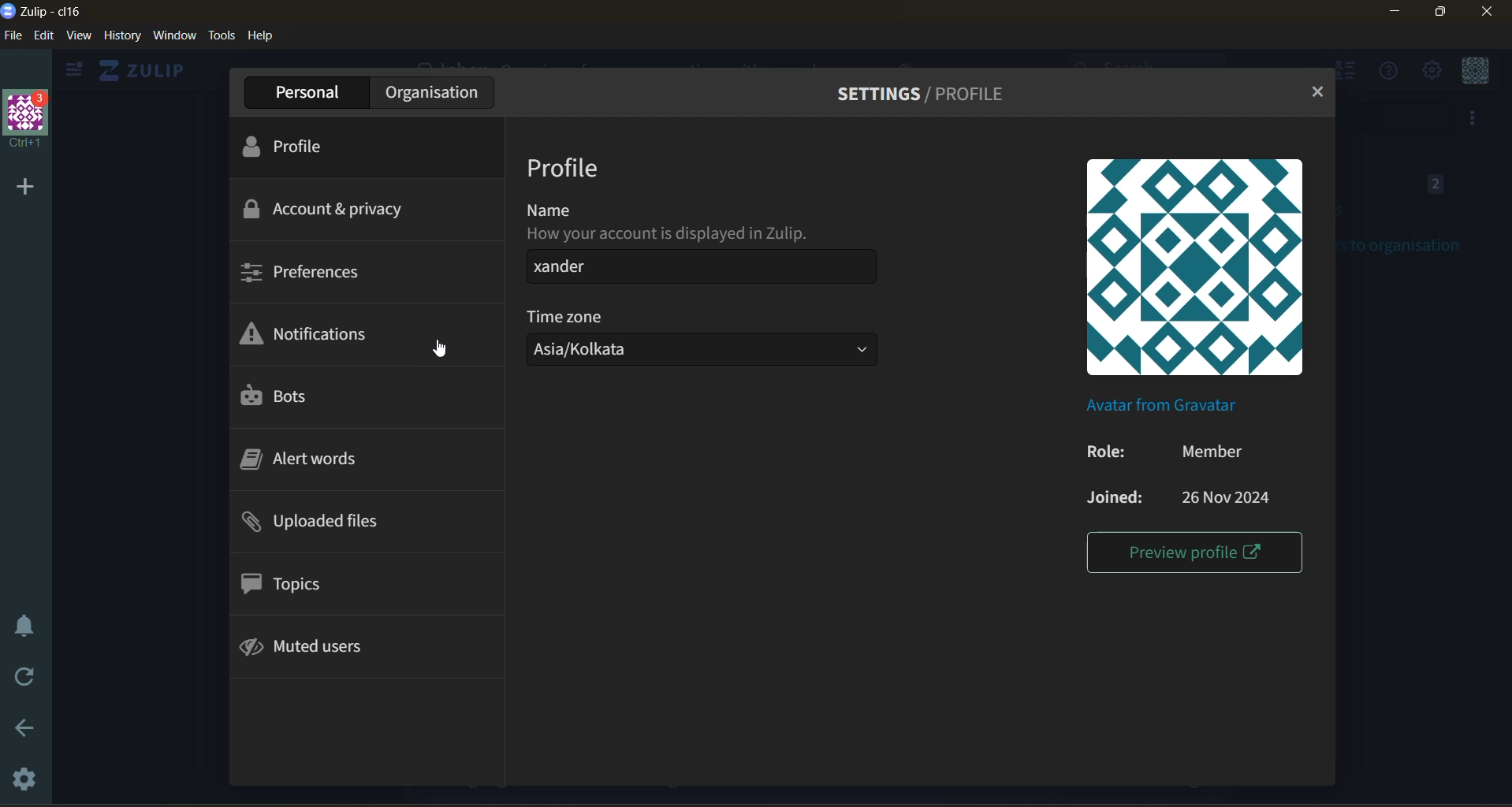  What do you see at coordinates (441, 348) in the screenshot?
I see `cursor` at bounding box center [441, 348].